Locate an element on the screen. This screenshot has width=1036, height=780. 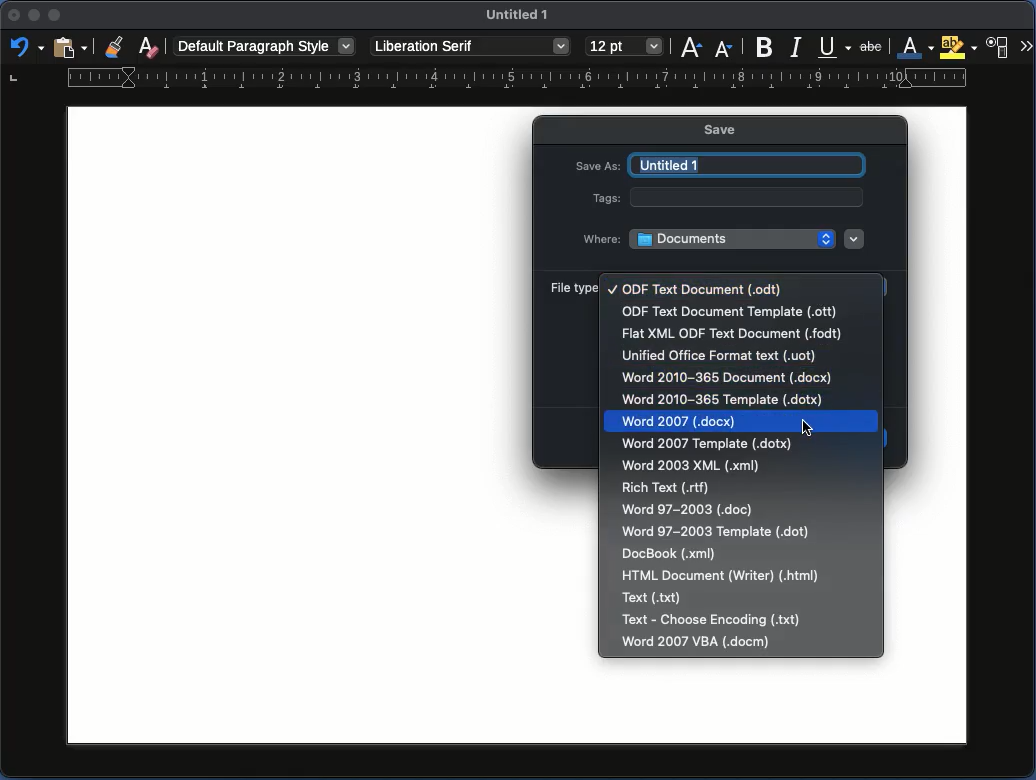
Clone formatting is located at coordinates (117, 47).